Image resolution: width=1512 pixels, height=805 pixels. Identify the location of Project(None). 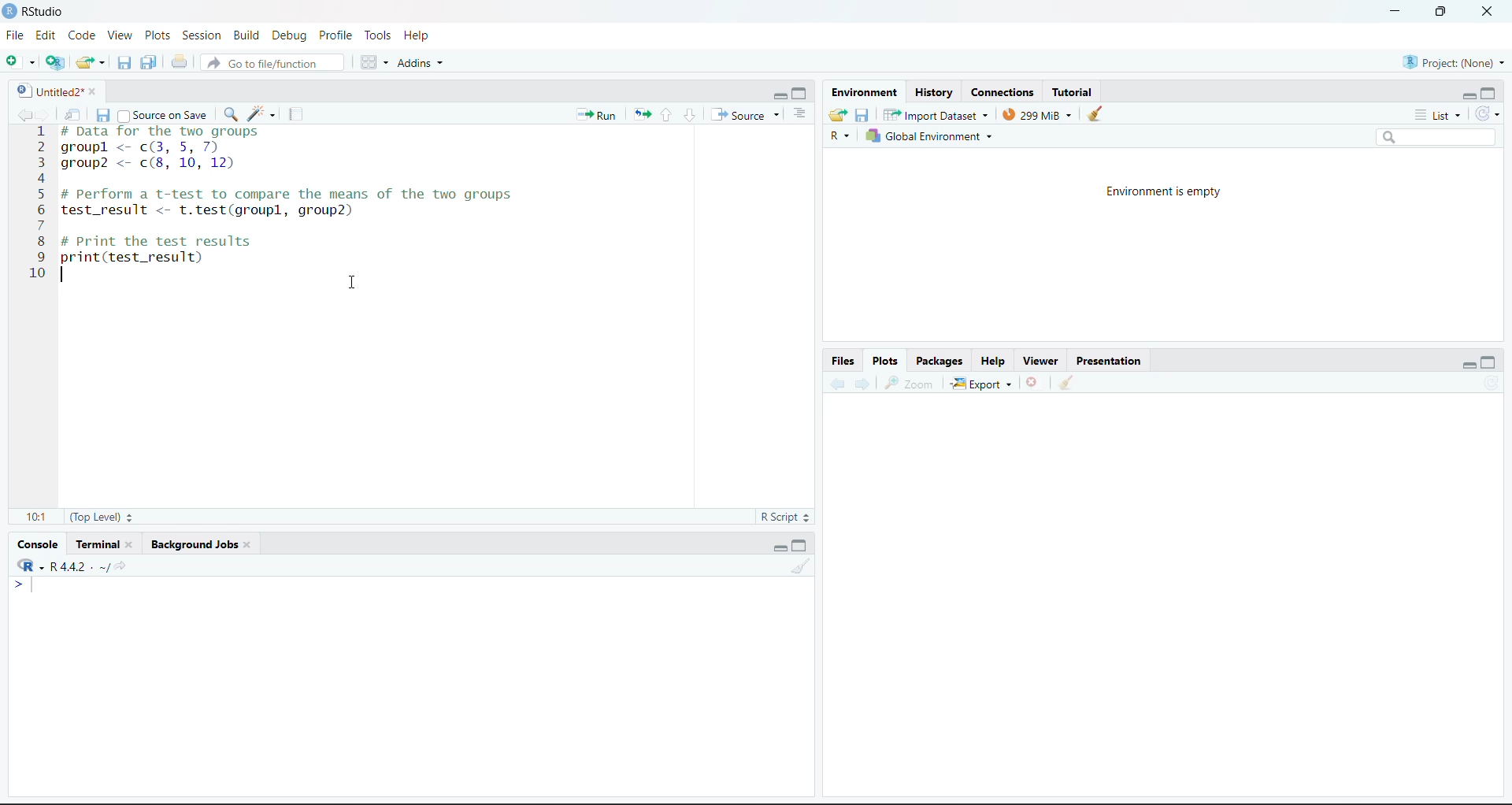
(1457, 62).